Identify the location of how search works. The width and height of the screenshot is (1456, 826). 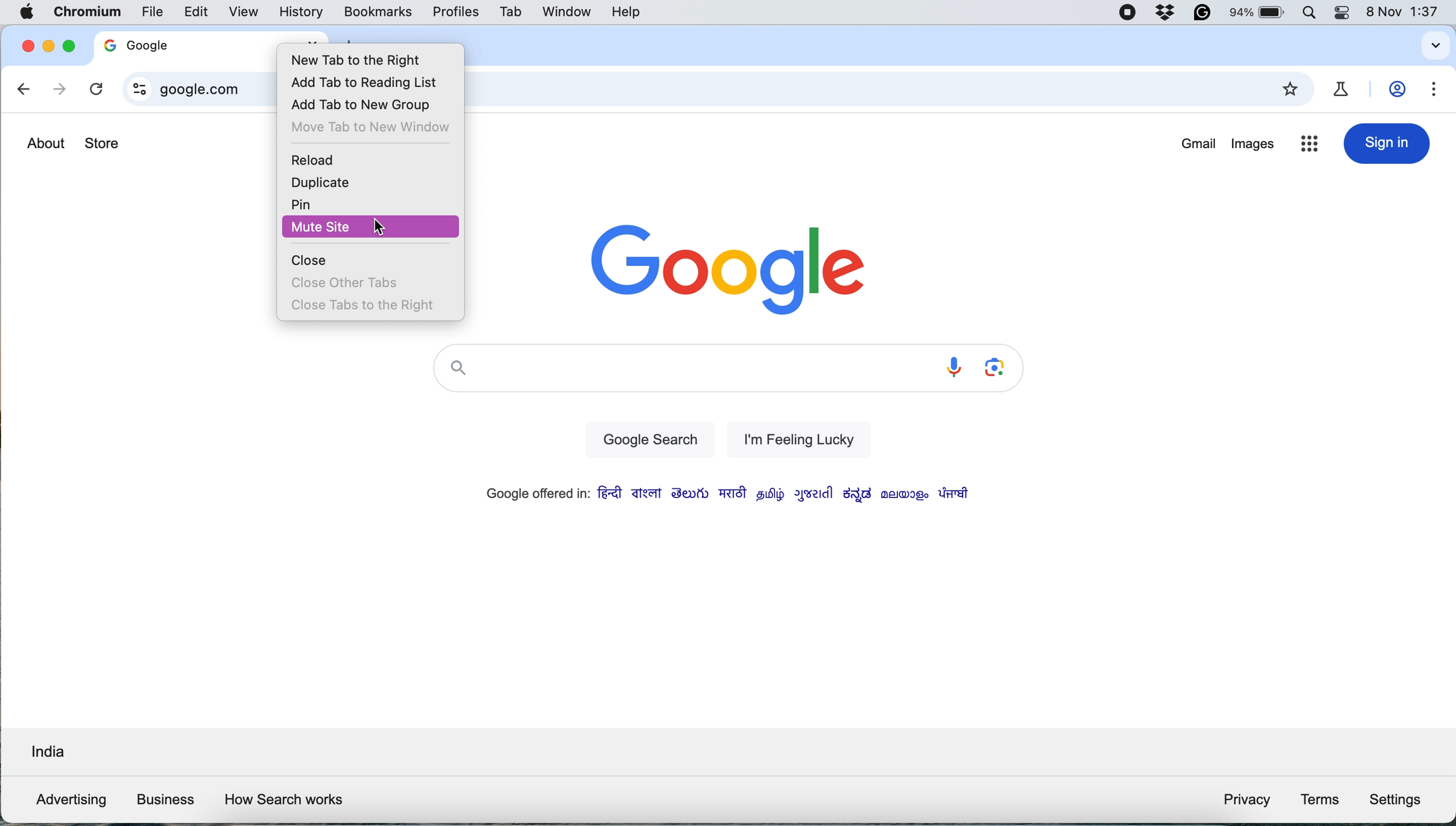
(285, 800).